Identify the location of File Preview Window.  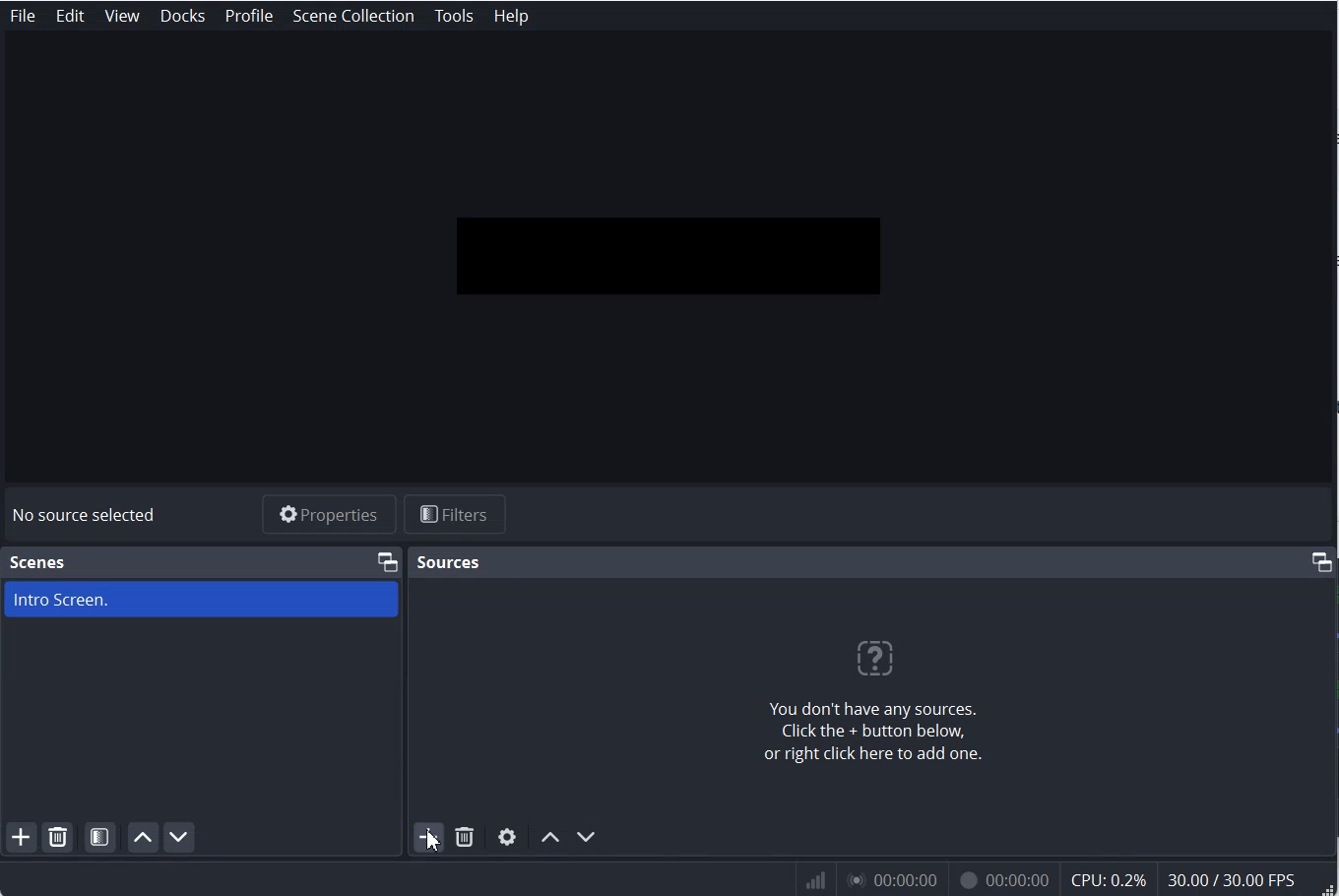
(663, 260).